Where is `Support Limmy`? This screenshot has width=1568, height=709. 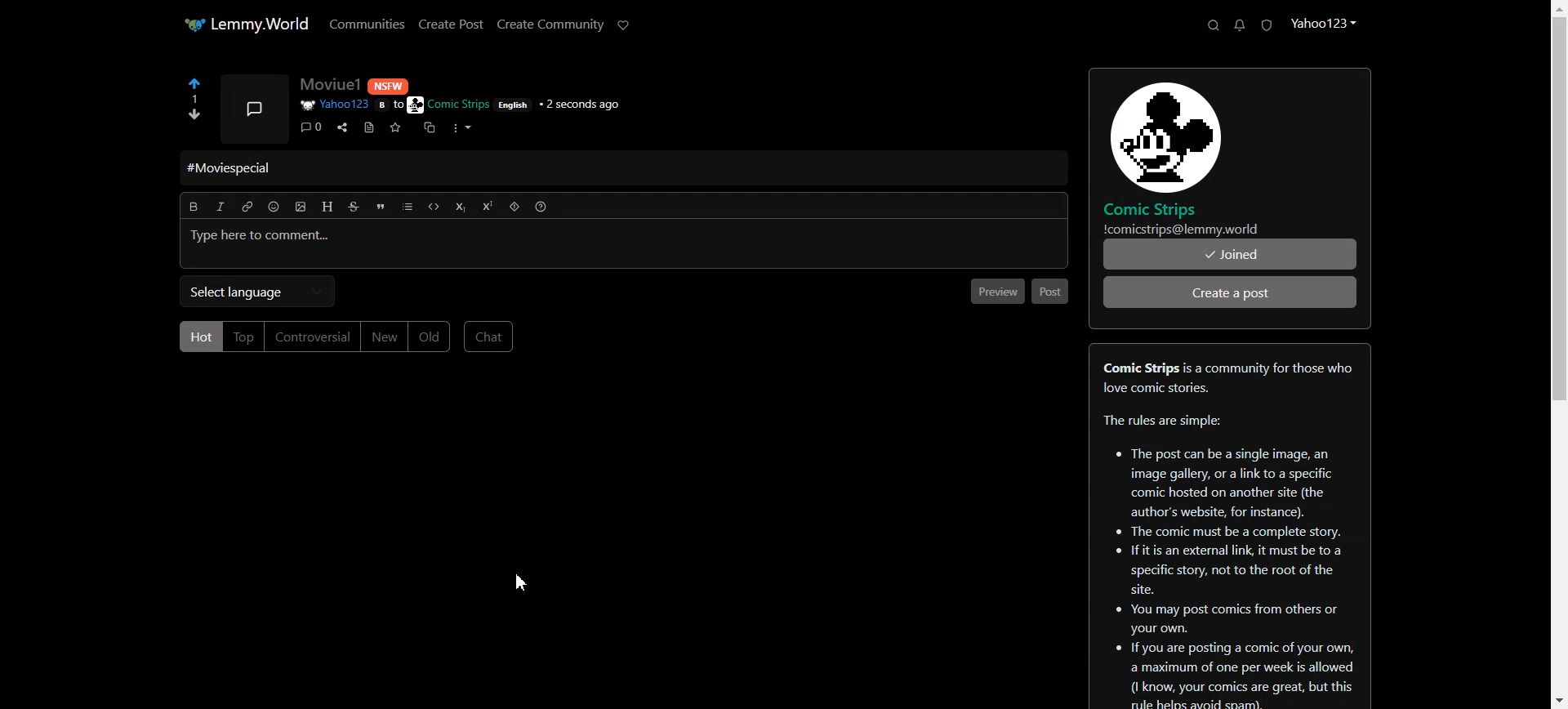 Support Limmy is located at coordinates (627, 25).